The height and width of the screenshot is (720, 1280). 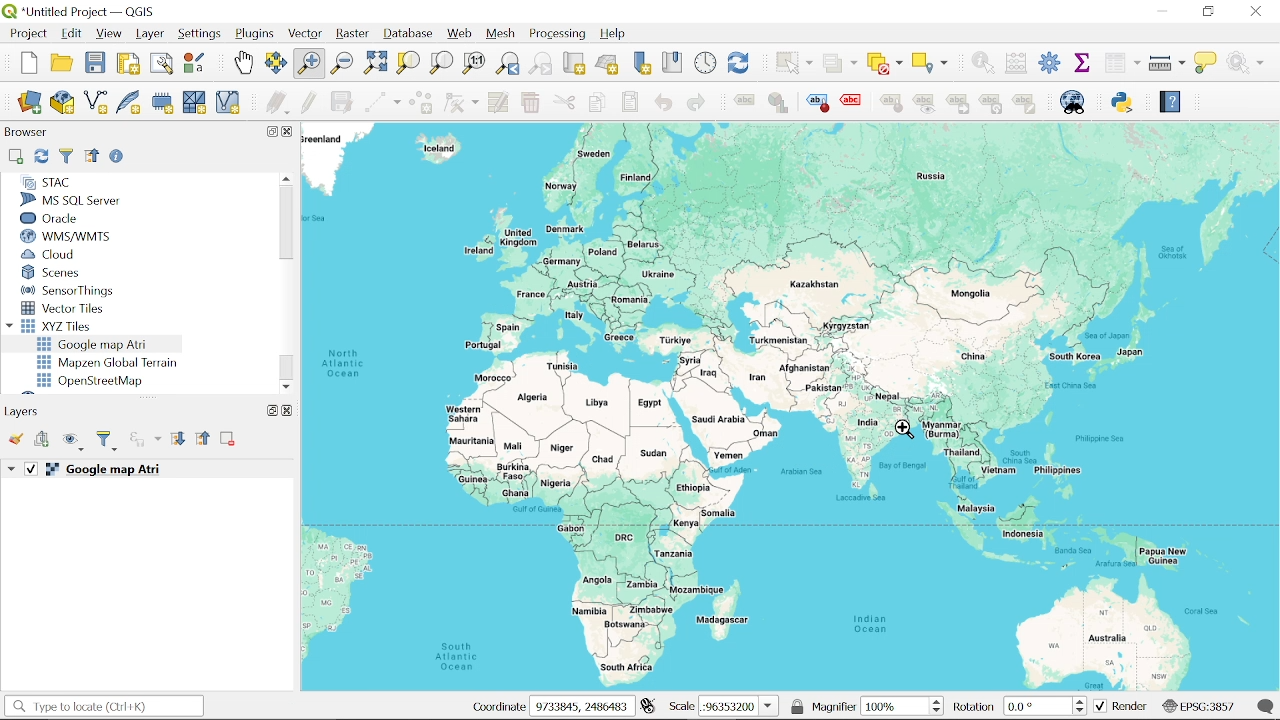 I want to click on Refresh, so click(x=740, y=63).